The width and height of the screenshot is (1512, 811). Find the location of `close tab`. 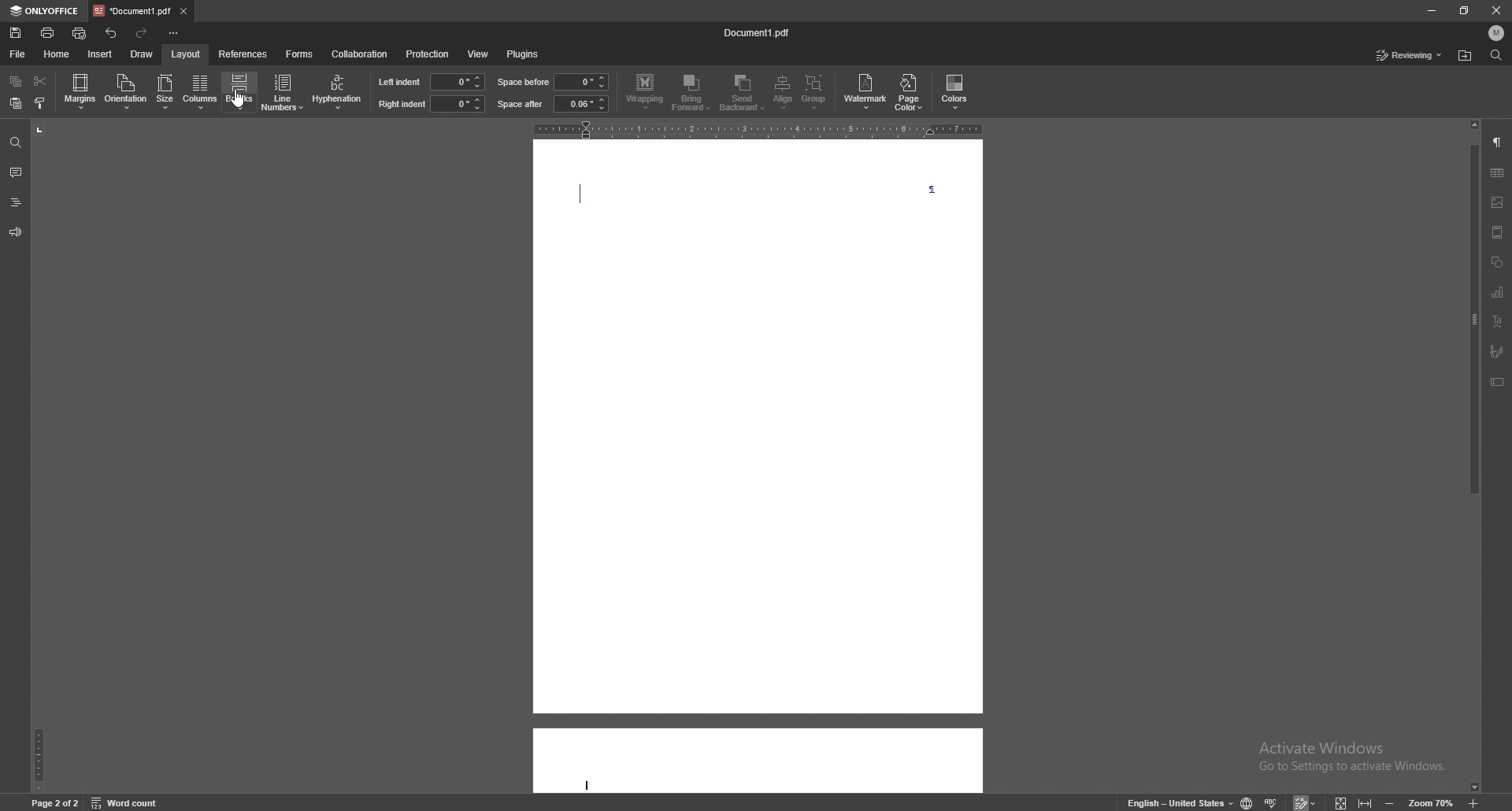

close tab is located at coordinates (183, 10).